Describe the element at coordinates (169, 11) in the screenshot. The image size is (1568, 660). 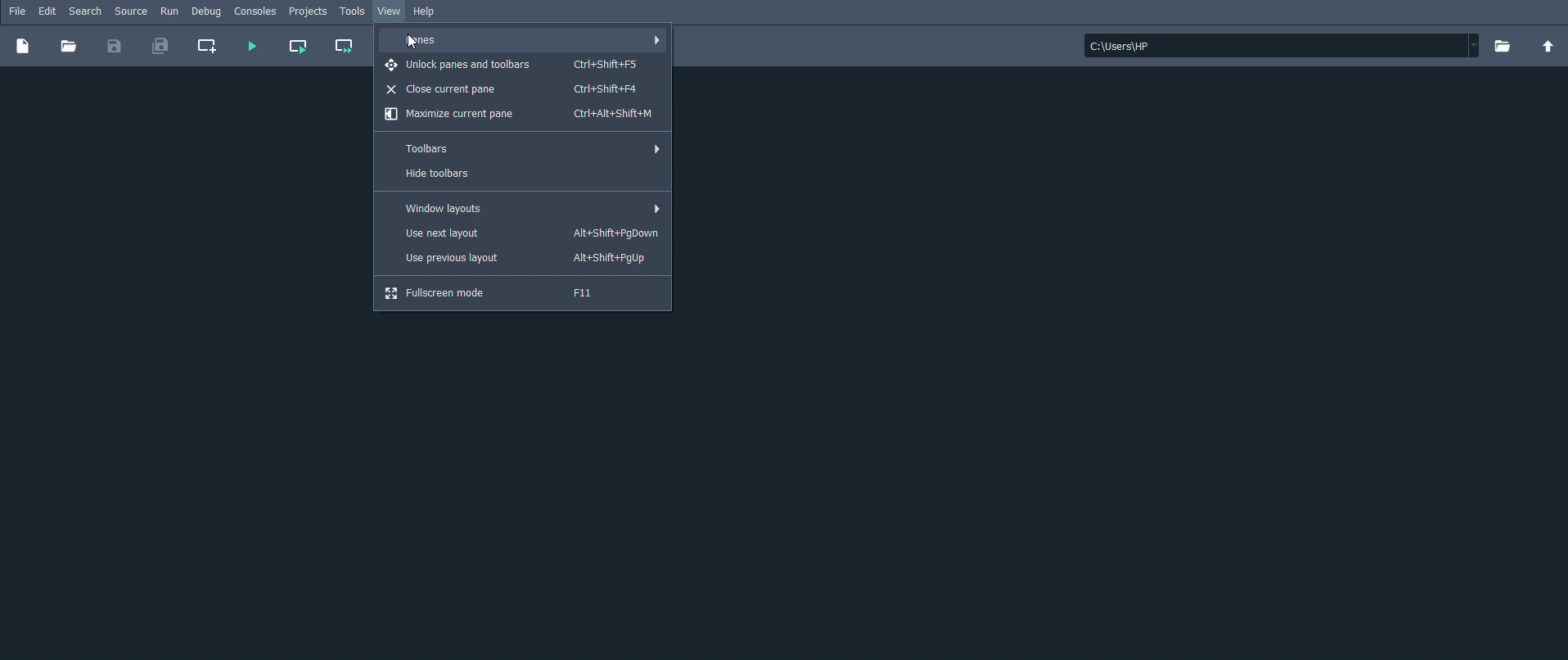
I see `Run` at that location.